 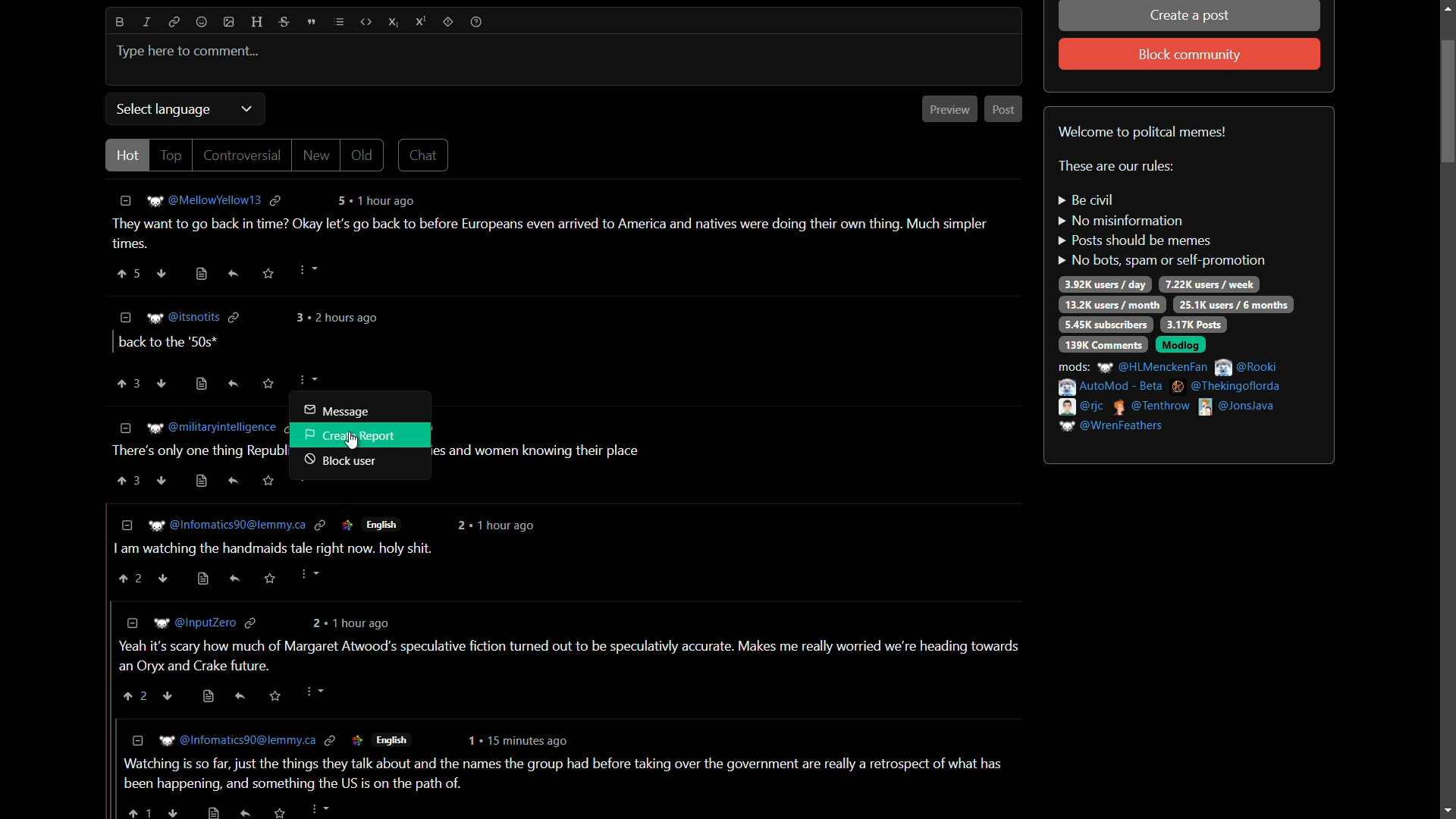 What do you see at coordinates (1106, 284) in the screenshot?
I see `3.92k users/day` at bounding box center [1106, 284].